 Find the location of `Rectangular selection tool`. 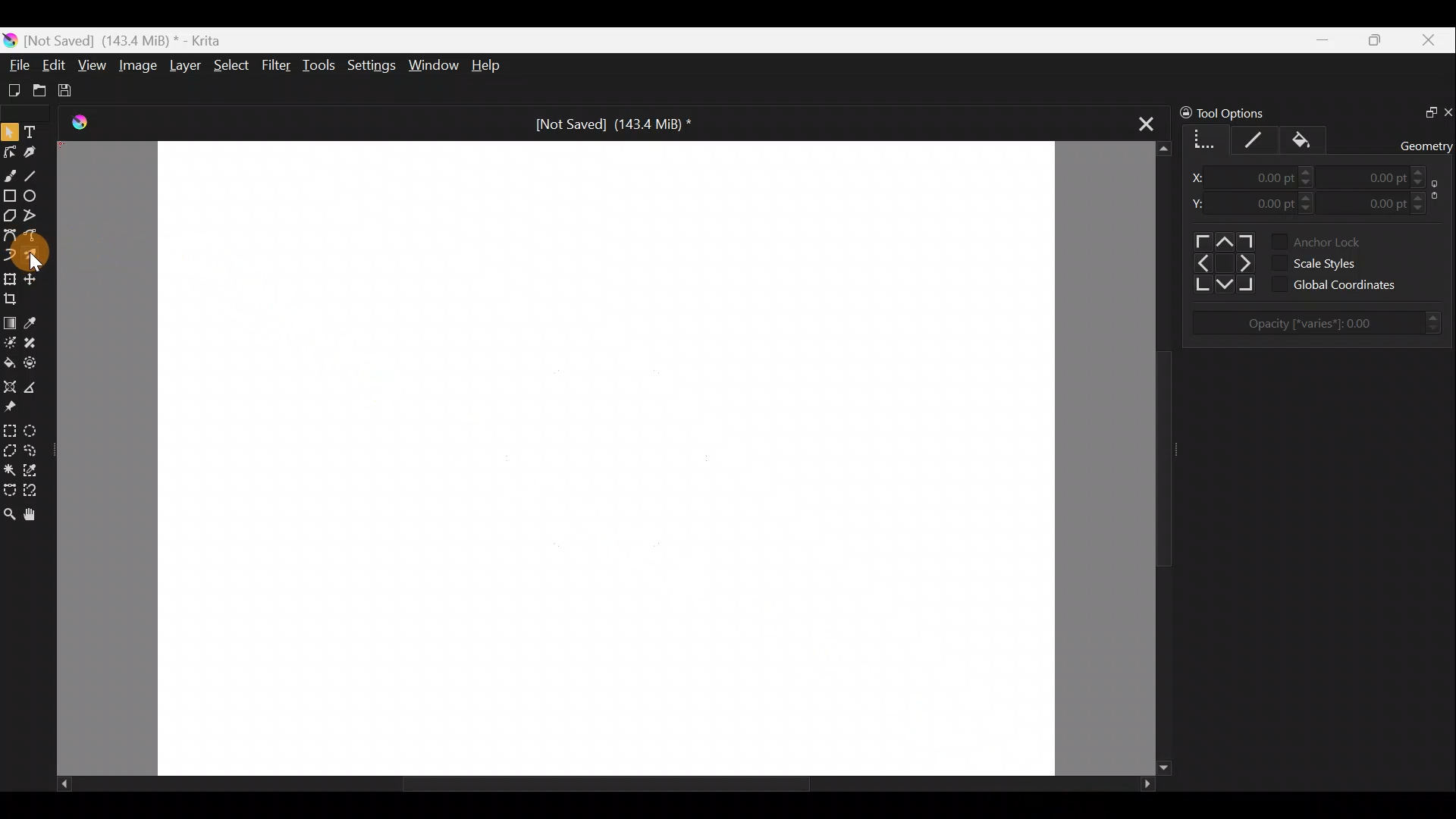

Rectangular selection tool is located at coordinates (9, 428).